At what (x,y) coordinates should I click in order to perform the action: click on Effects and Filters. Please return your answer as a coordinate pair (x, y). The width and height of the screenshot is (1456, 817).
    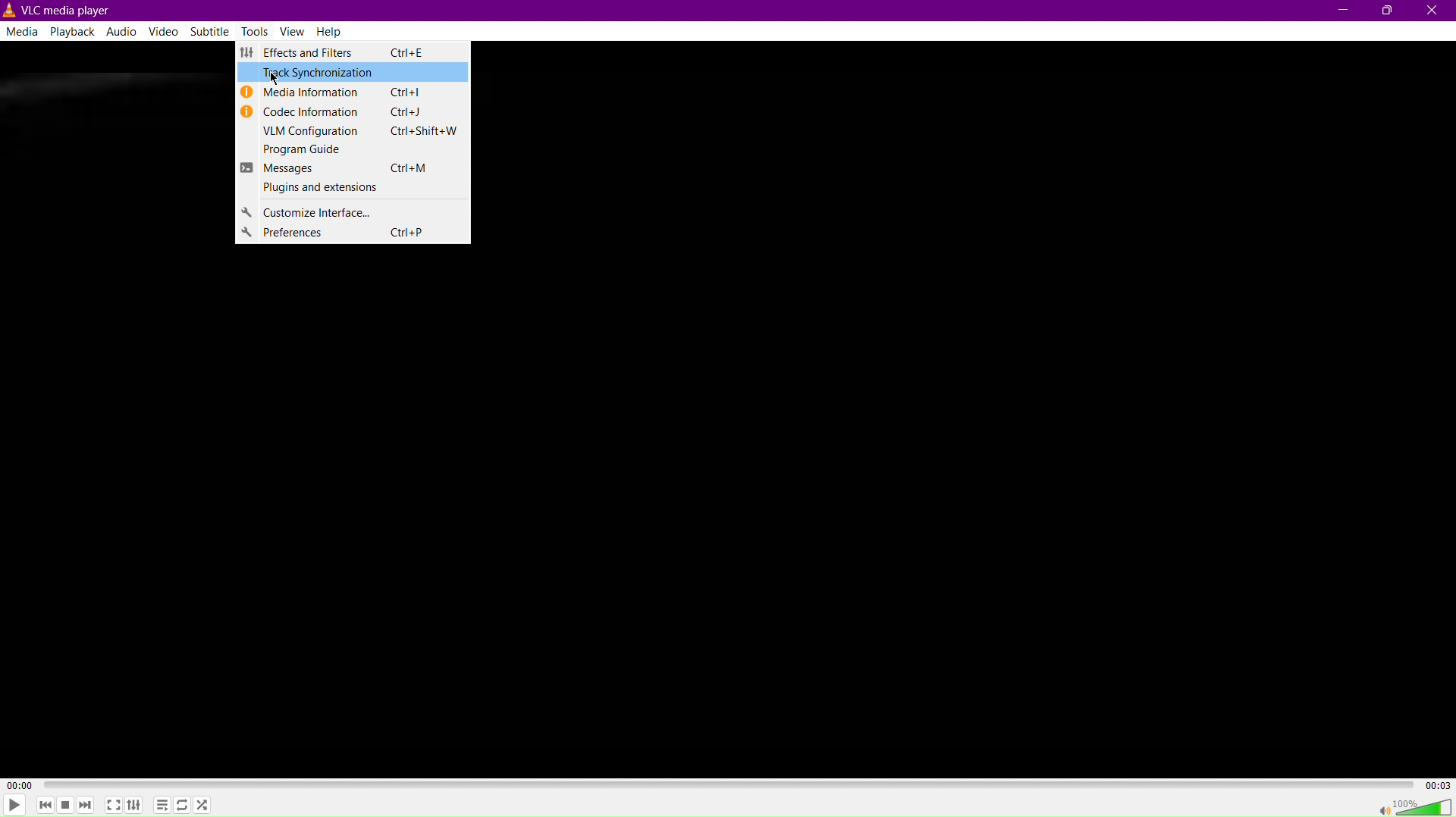
    Looking at the image, I should click on (331, 56).